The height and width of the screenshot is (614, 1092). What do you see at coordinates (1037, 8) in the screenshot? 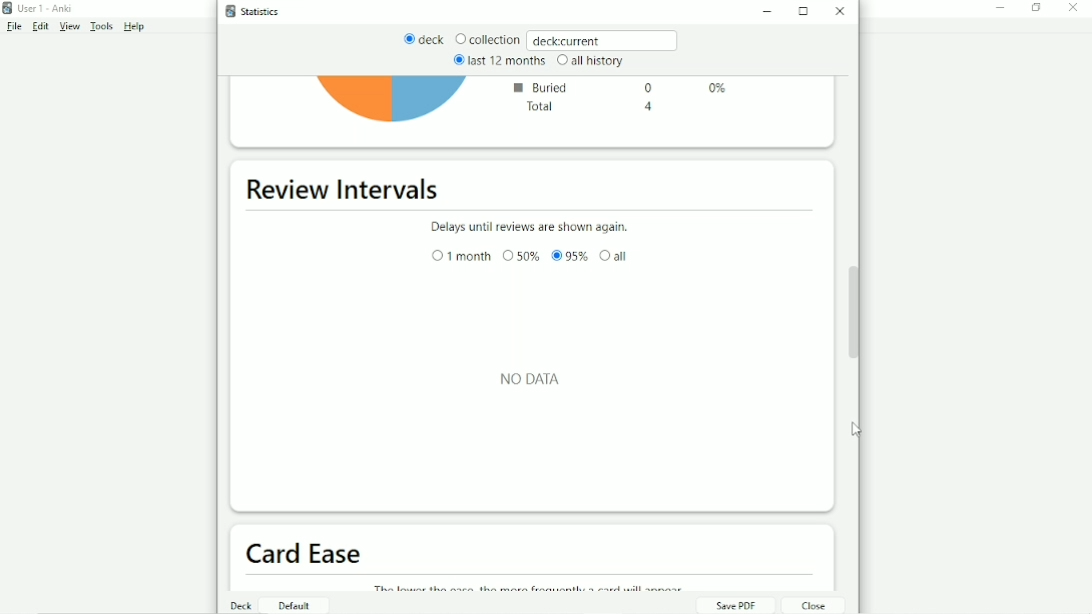
I see `Restore down` at bounding box center [1037, 8].